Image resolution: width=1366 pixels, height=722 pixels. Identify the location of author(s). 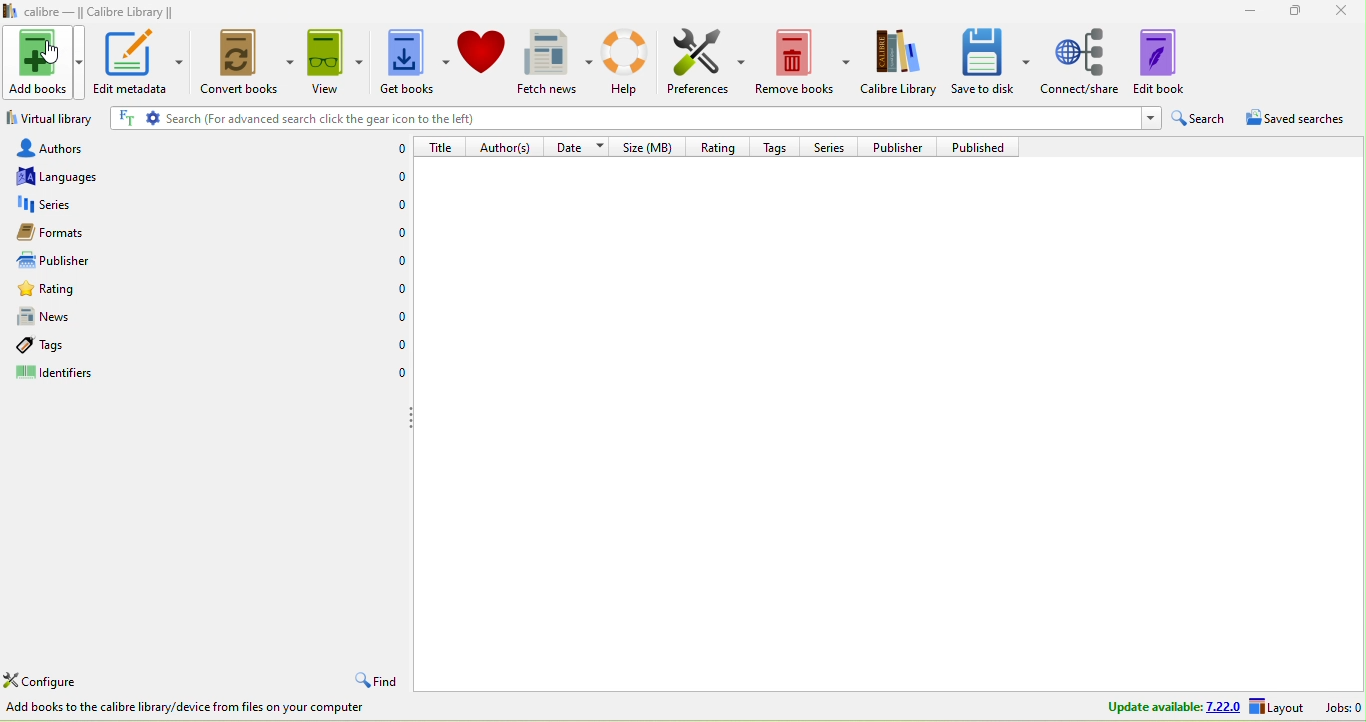
(511, 147).